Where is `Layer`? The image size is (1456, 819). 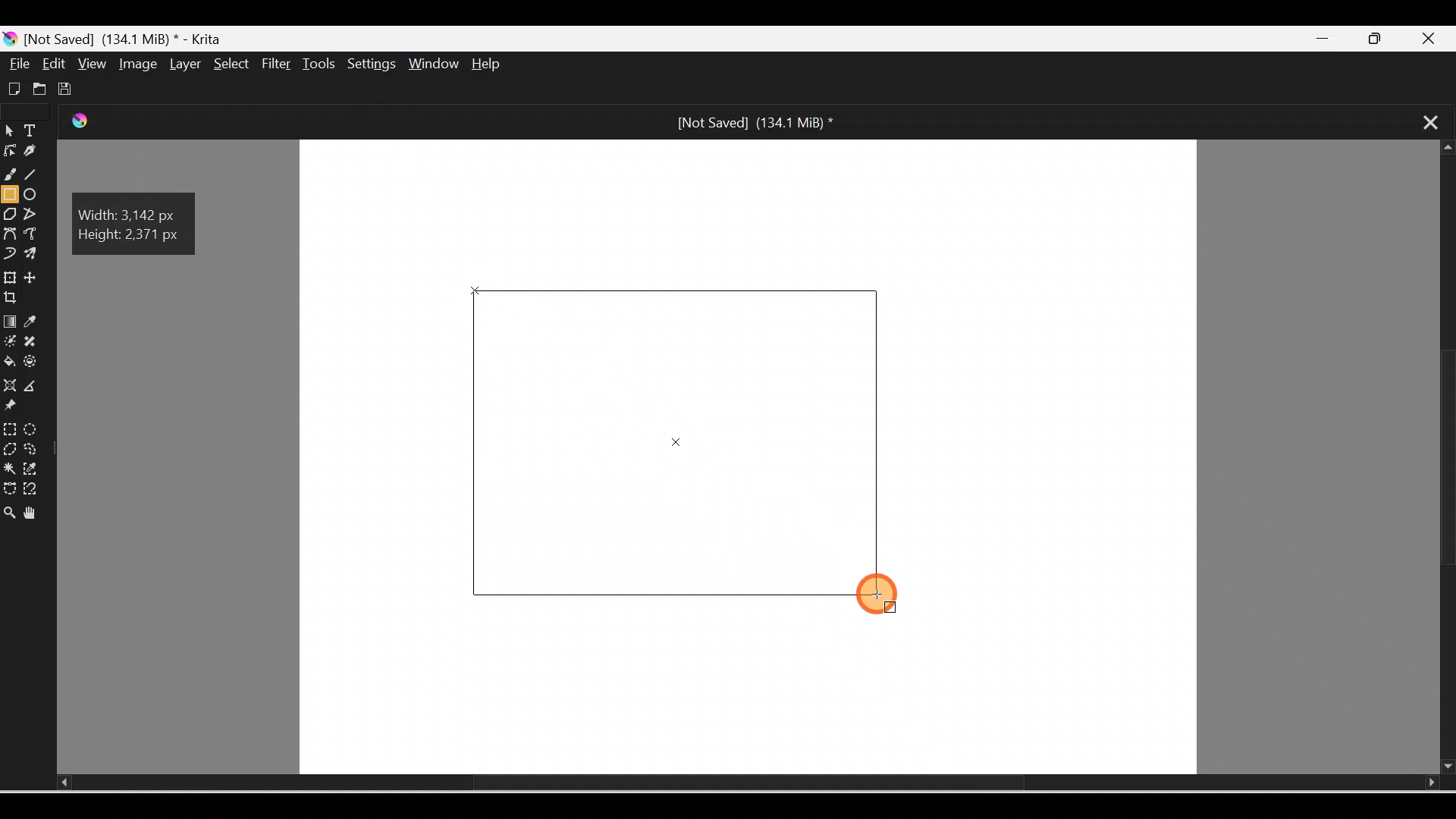 Layer is located at coordinates (182, 64).